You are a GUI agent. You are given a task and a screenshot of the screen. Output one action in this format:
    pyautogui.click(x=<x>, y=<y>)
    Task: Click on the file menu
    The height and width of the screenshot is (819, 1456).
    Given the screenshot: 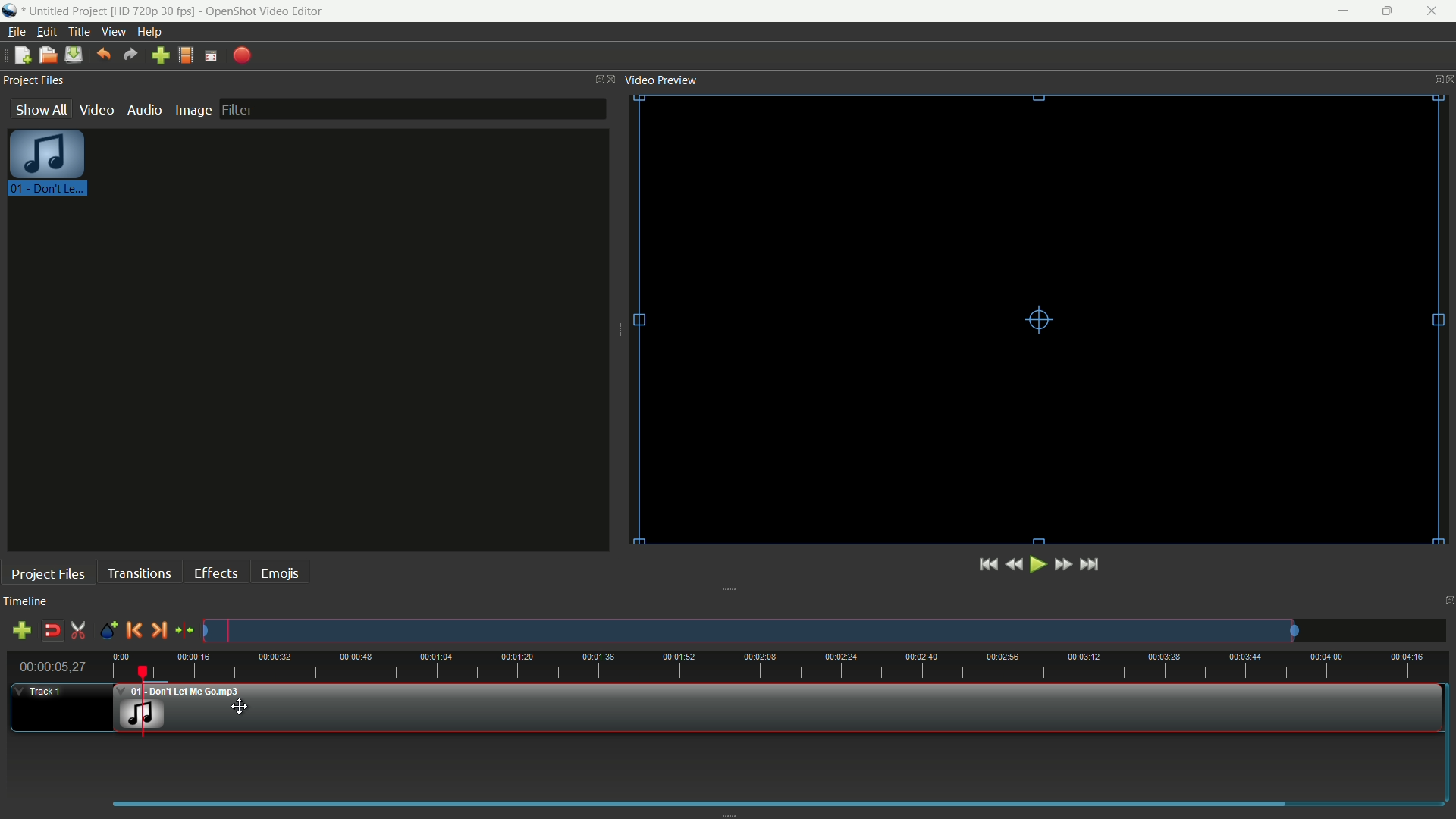 What is the action you would take?
    pyautogui.click(x=14, y=33)
    